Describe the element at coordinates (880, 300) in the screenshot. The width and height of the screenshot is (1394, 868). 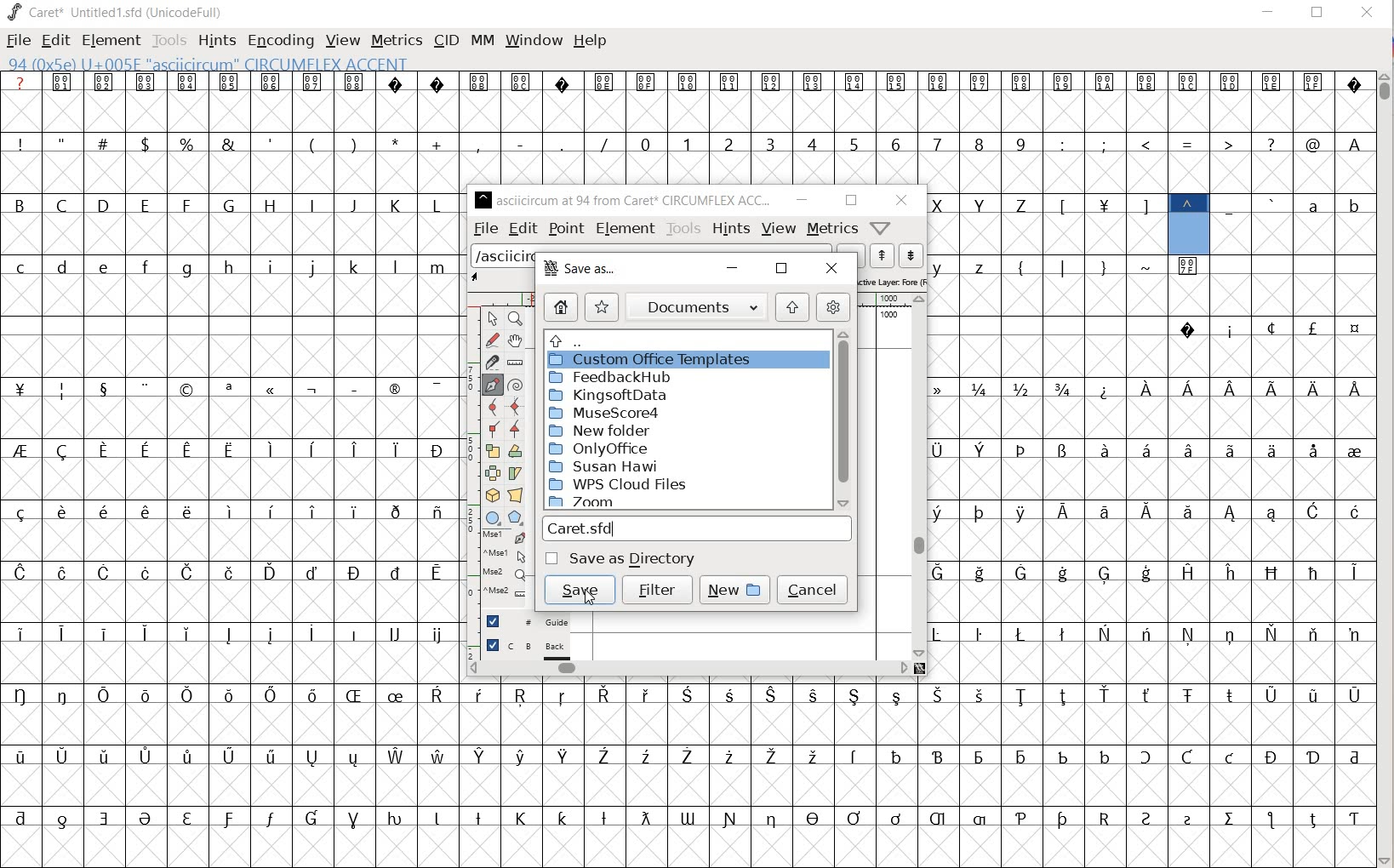
I see `ruler` at that location.